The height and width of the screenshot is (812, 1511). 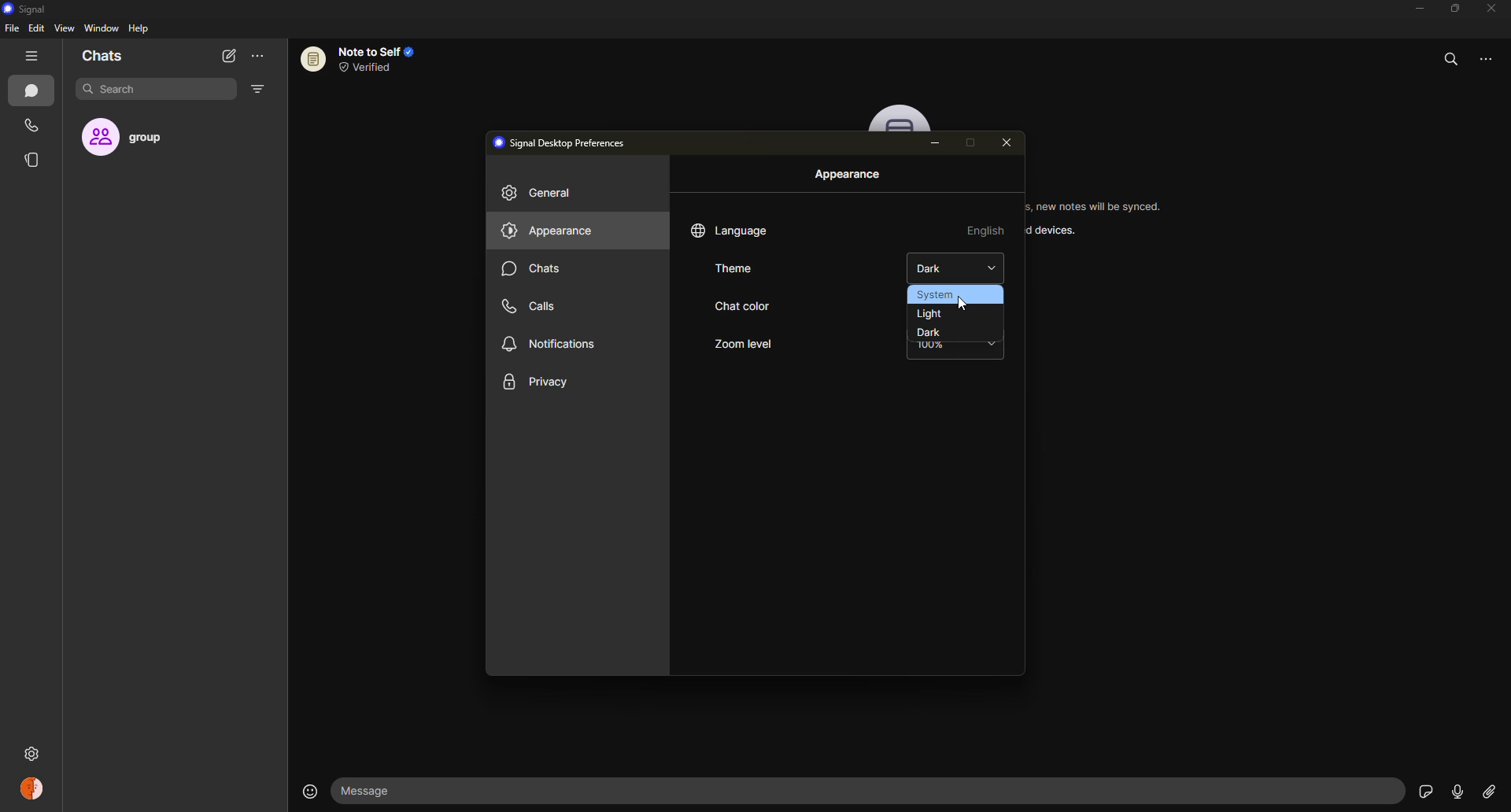 I want to click on hide tabs, so click(x=33, y=57).